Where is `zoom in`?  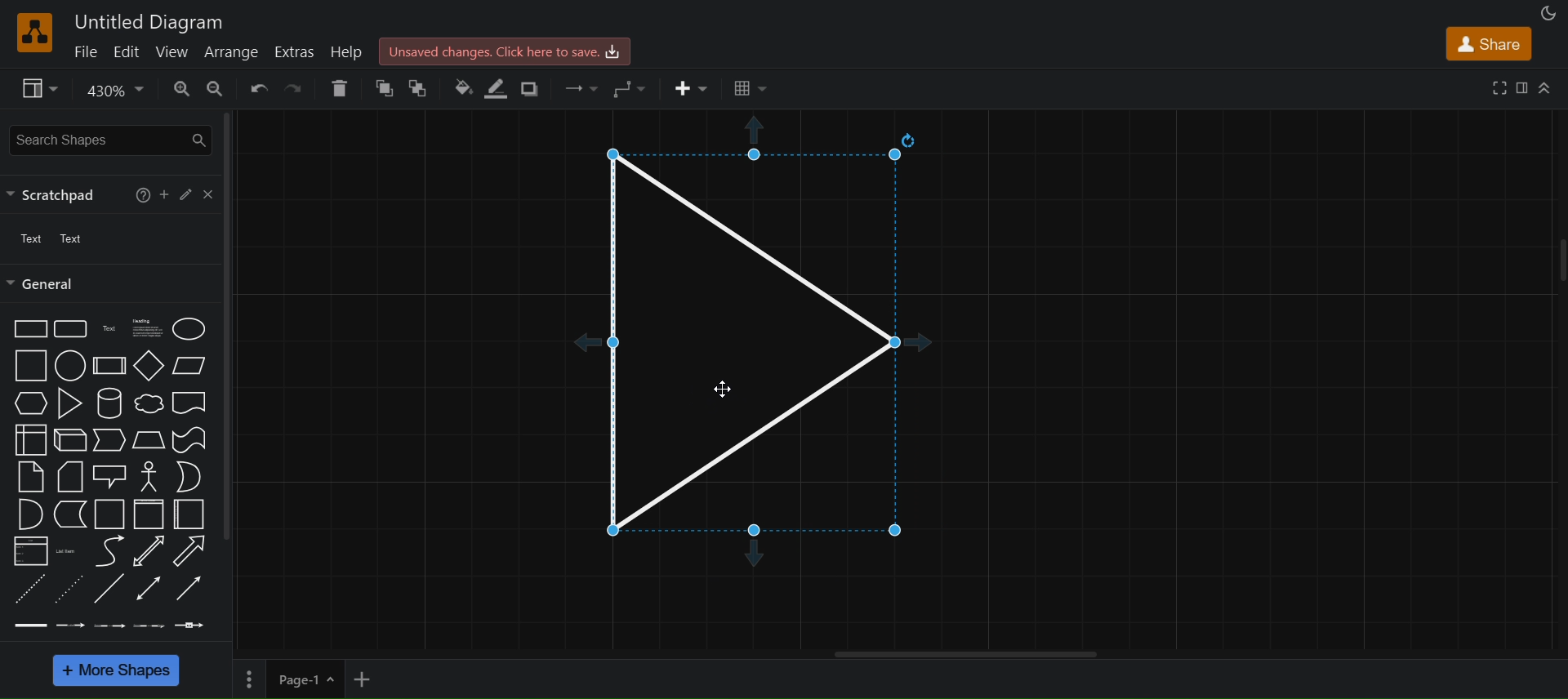
zoom in is located at coordinates (181, 89).